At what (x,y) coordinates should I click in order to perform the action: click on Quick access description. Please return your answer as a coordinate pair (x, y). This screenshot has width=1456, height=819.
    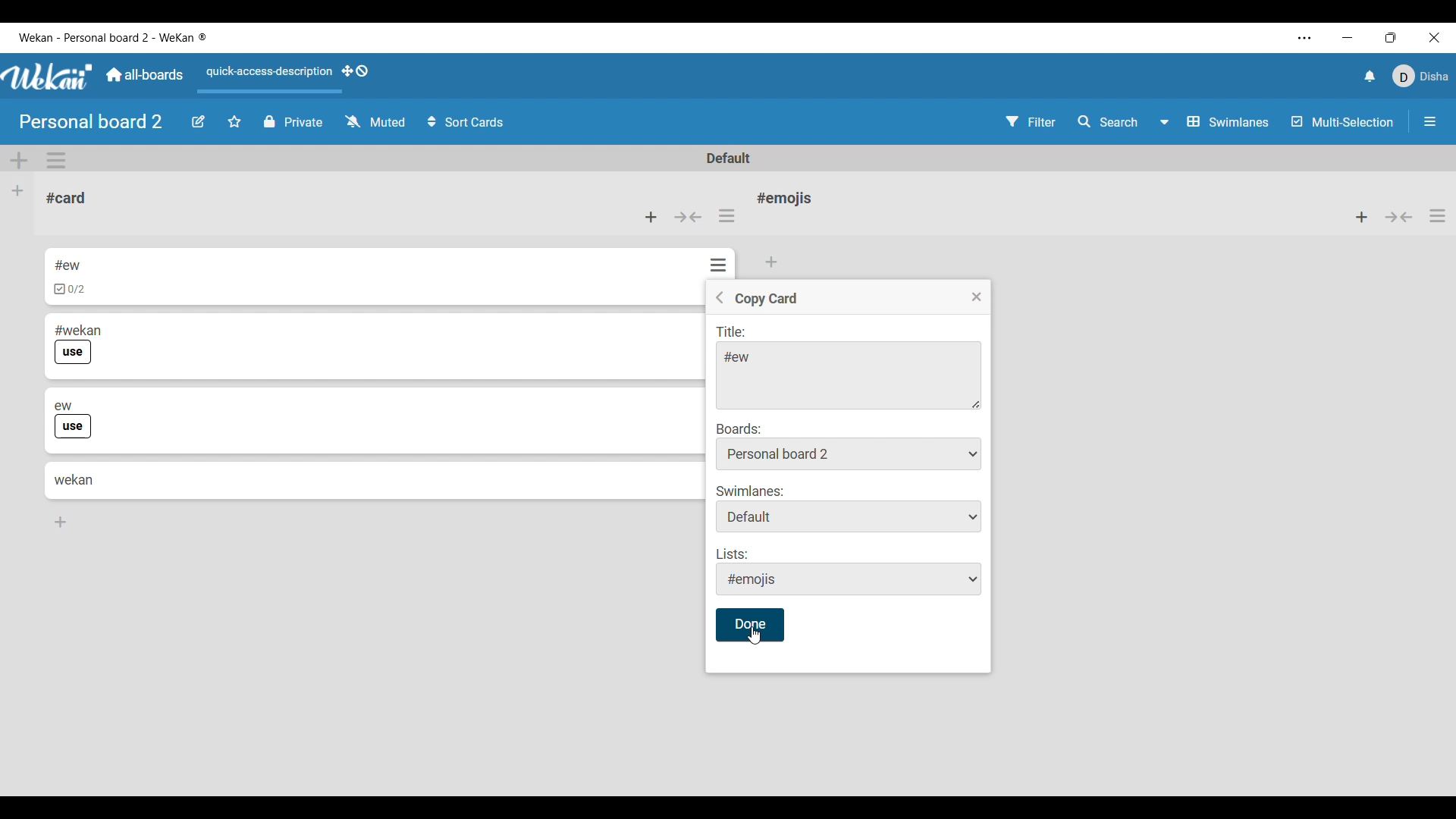
    Looking at the image, I should click on (266, 78).